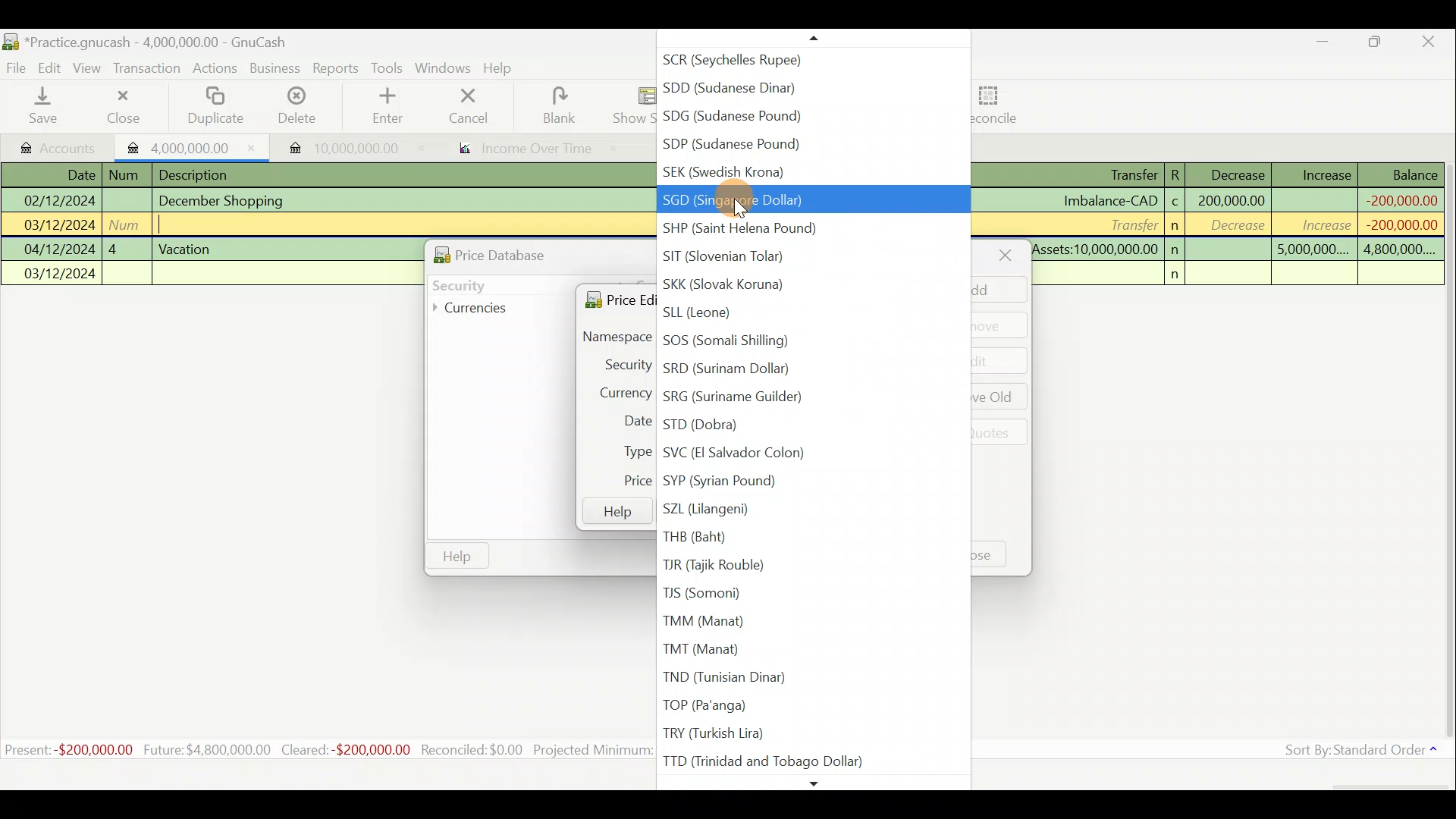  Describe the element at coordinates (1180, 275) in the screenshot. I see `n` at that location.